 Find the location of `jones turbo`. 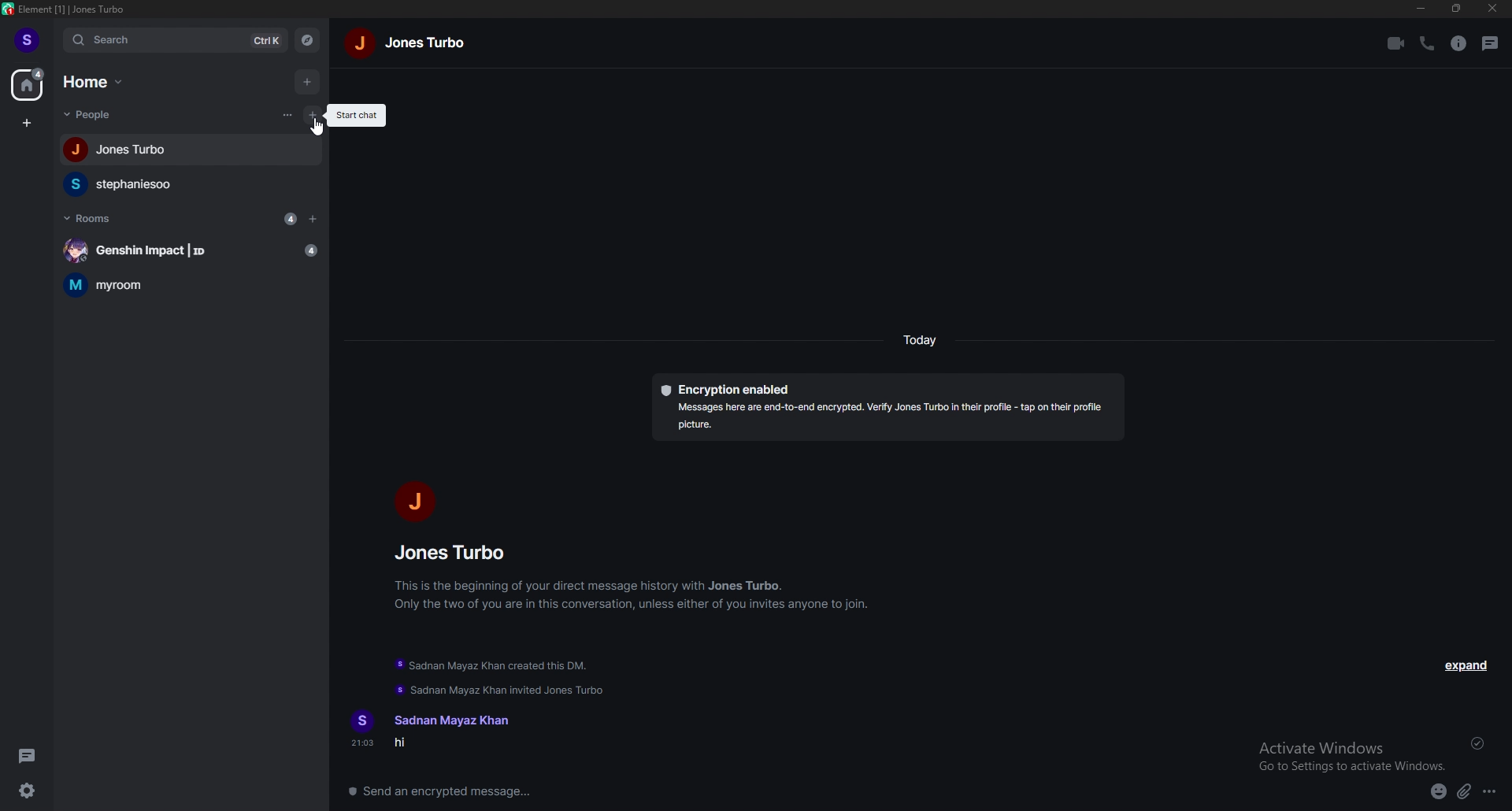

jones turbo is located at coordinates (454, 553).